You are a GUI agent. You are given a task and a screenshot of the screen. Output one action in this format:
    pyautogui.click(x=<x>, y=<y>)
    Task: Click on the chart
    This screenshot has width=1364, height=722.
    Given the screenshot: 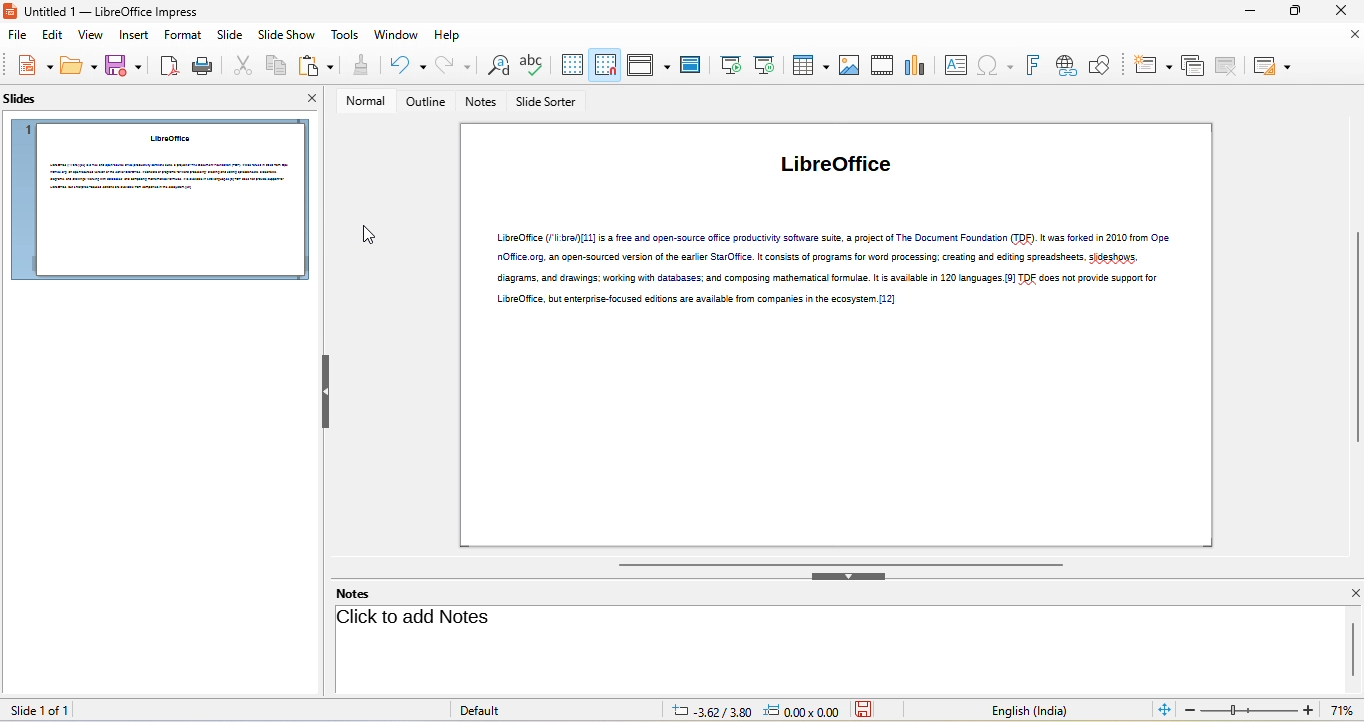 What is the action you would take?
    pyautogui.click(x=914, y=67)
    